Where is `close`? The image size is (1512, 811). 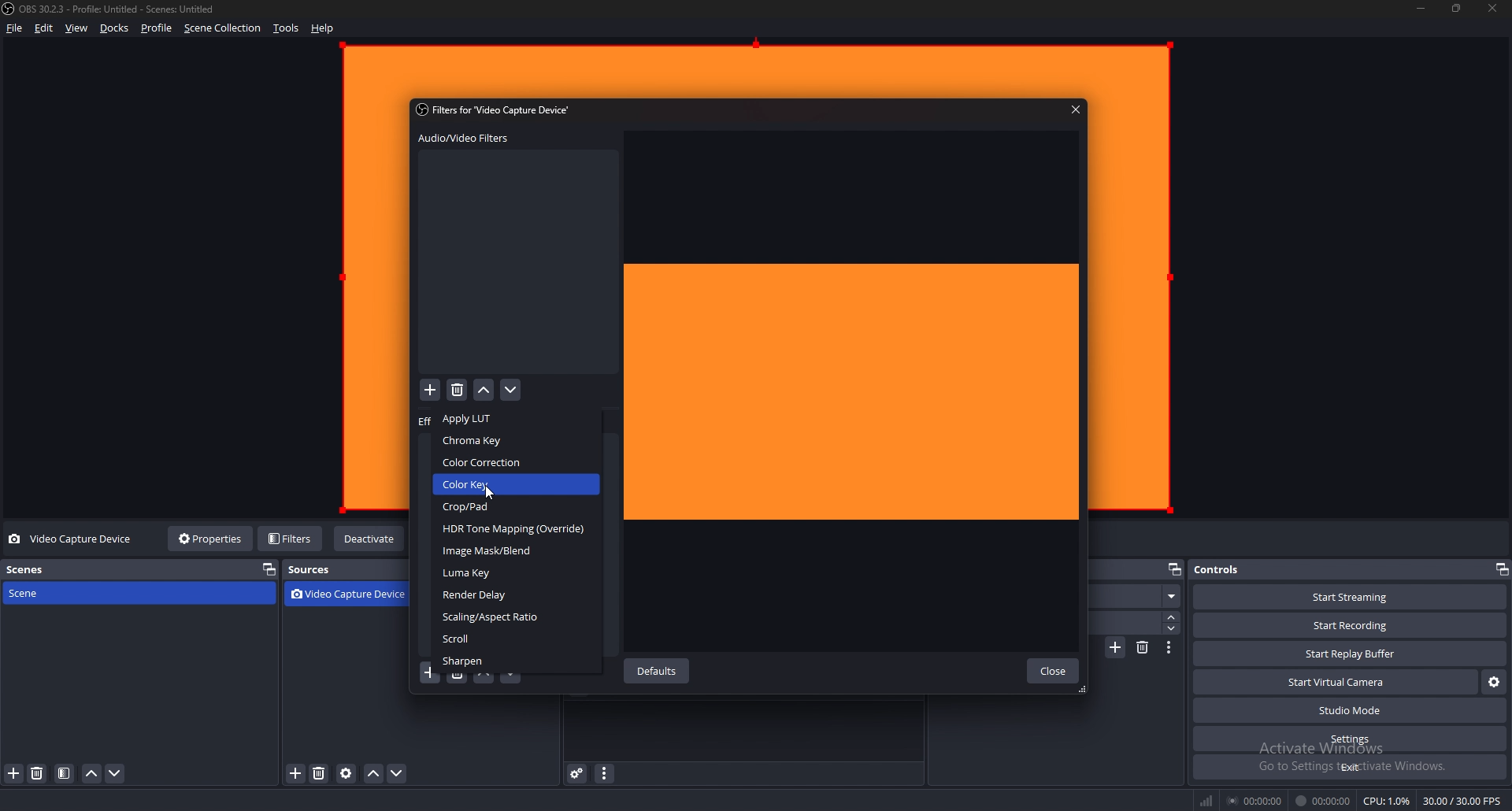
close is located at coordinates (1077, 109).